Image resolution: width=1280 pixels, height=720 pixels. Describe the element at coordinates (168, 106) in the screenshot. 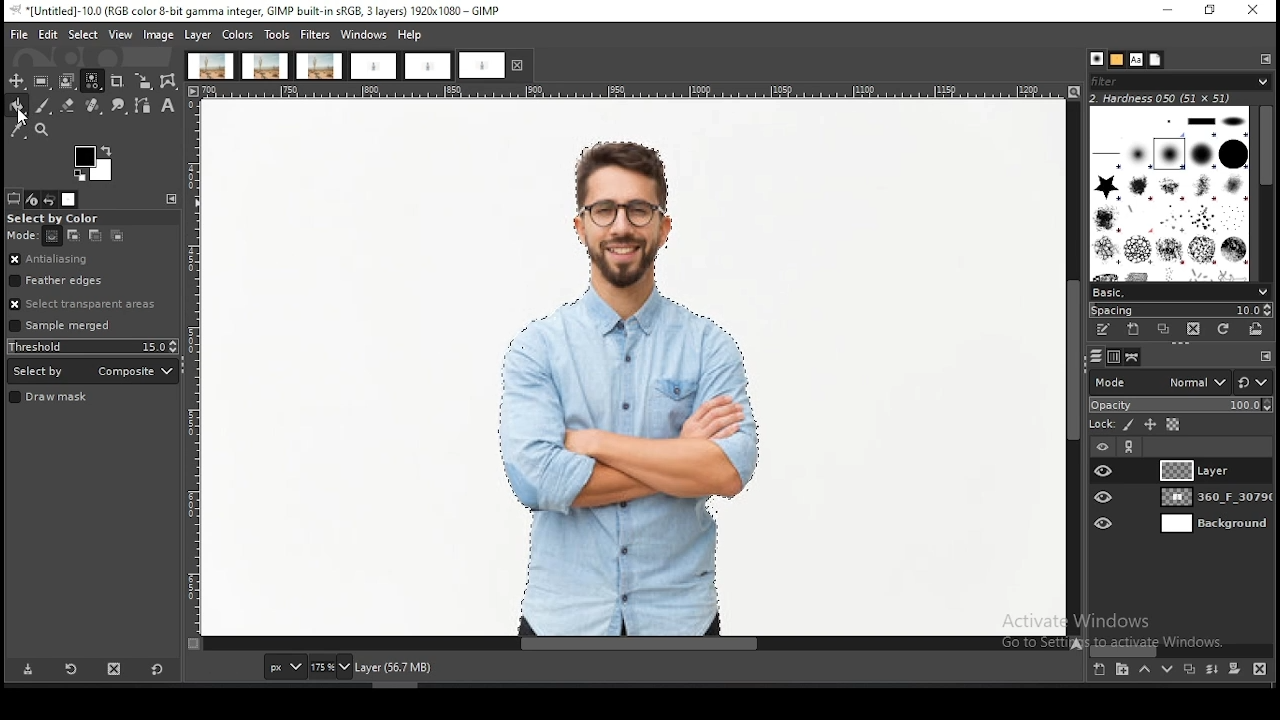

I see `text tool` at that location.